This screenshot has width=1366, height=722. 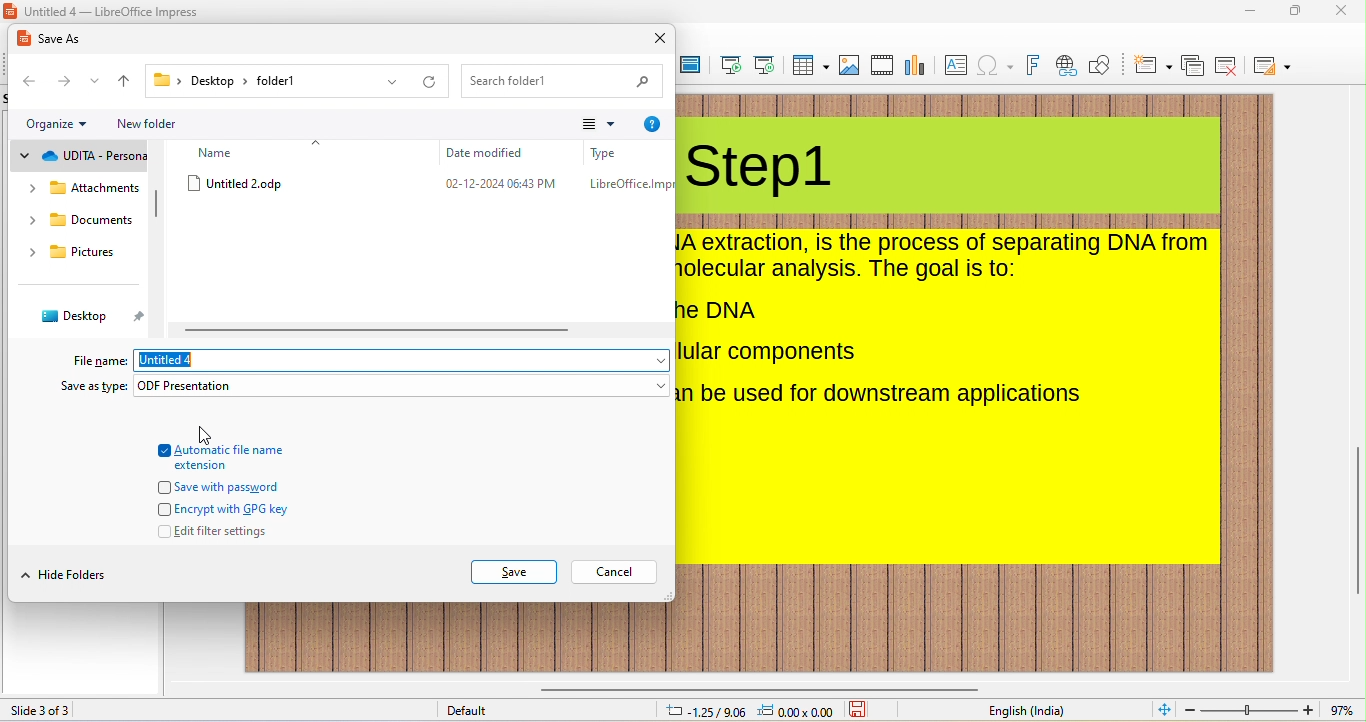 I want to click on file name, so click(x=184, y=362).